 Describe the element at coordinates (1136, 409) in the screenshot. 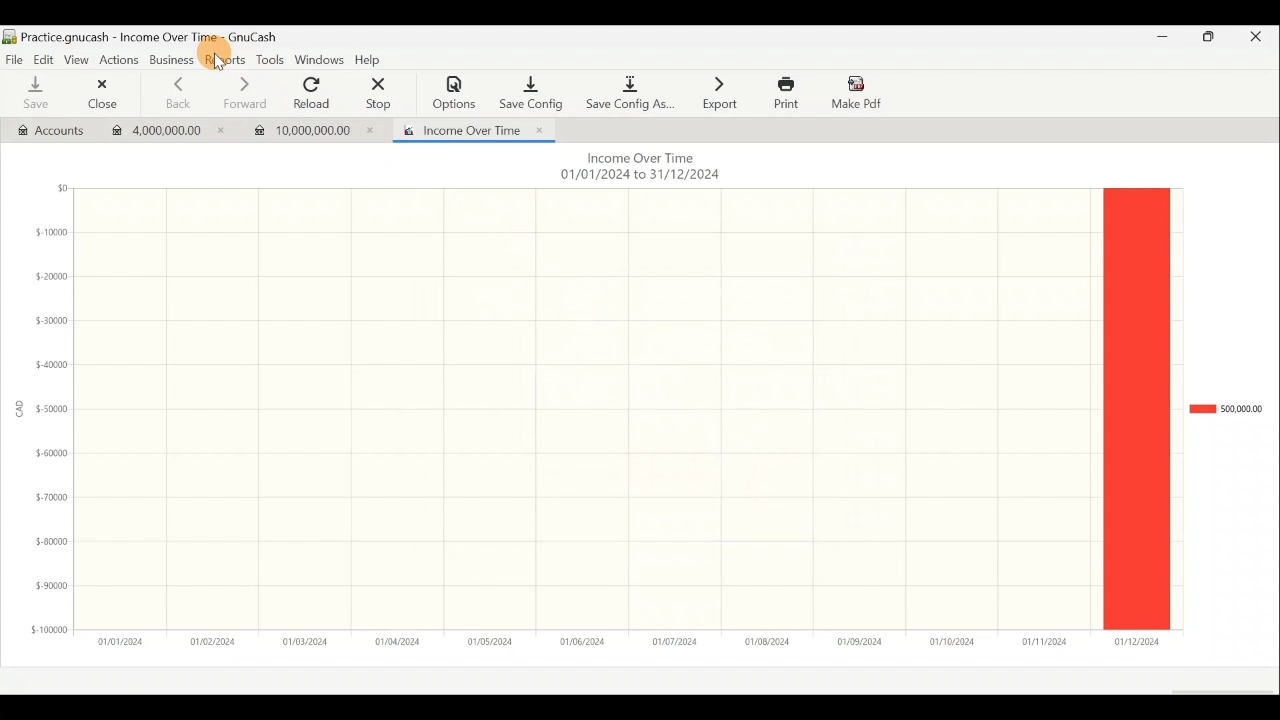

I see `Bar` at that location.